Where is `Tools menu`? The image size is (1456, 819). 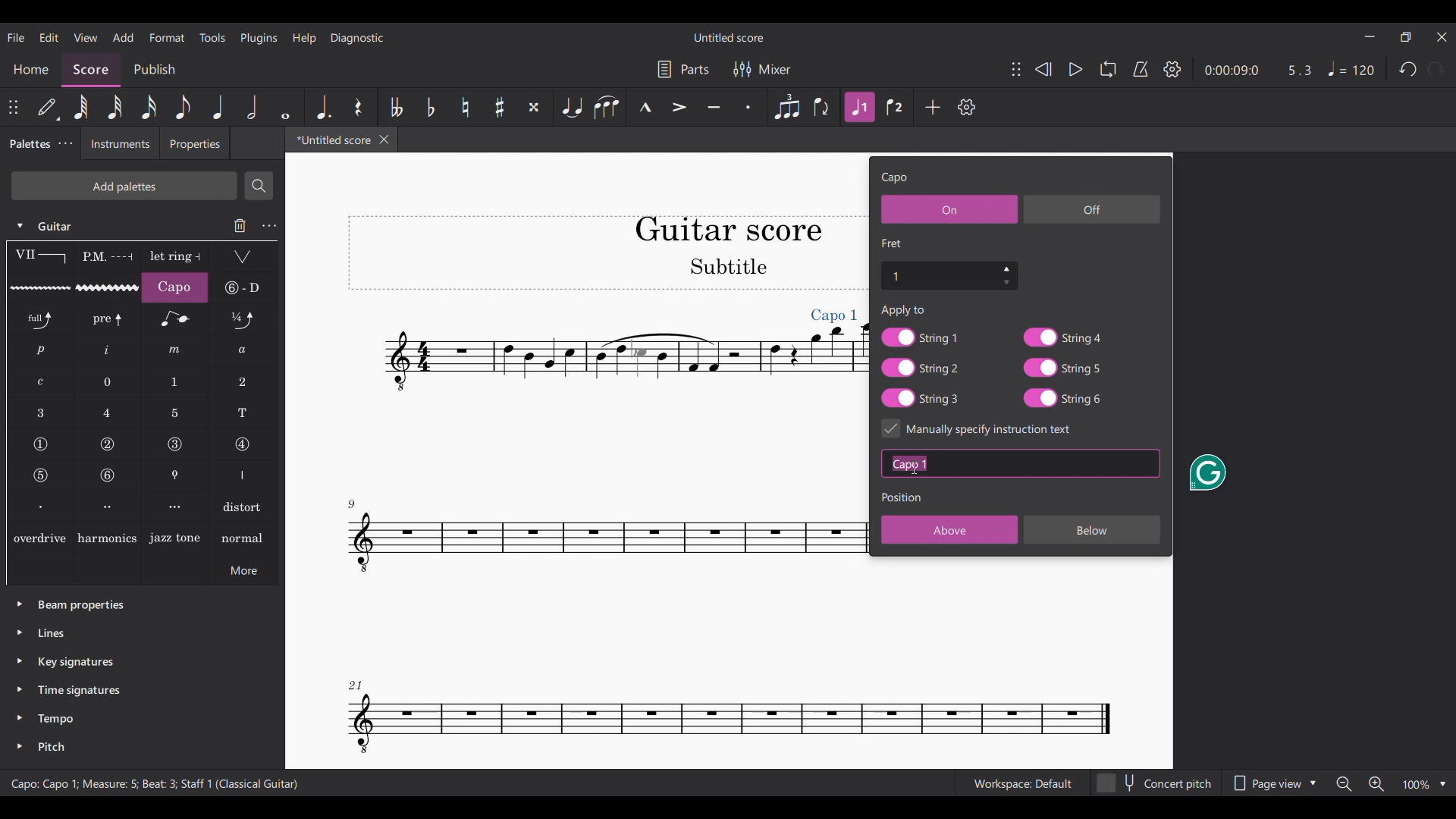 Tools menu is located at coordinates (212, 37).